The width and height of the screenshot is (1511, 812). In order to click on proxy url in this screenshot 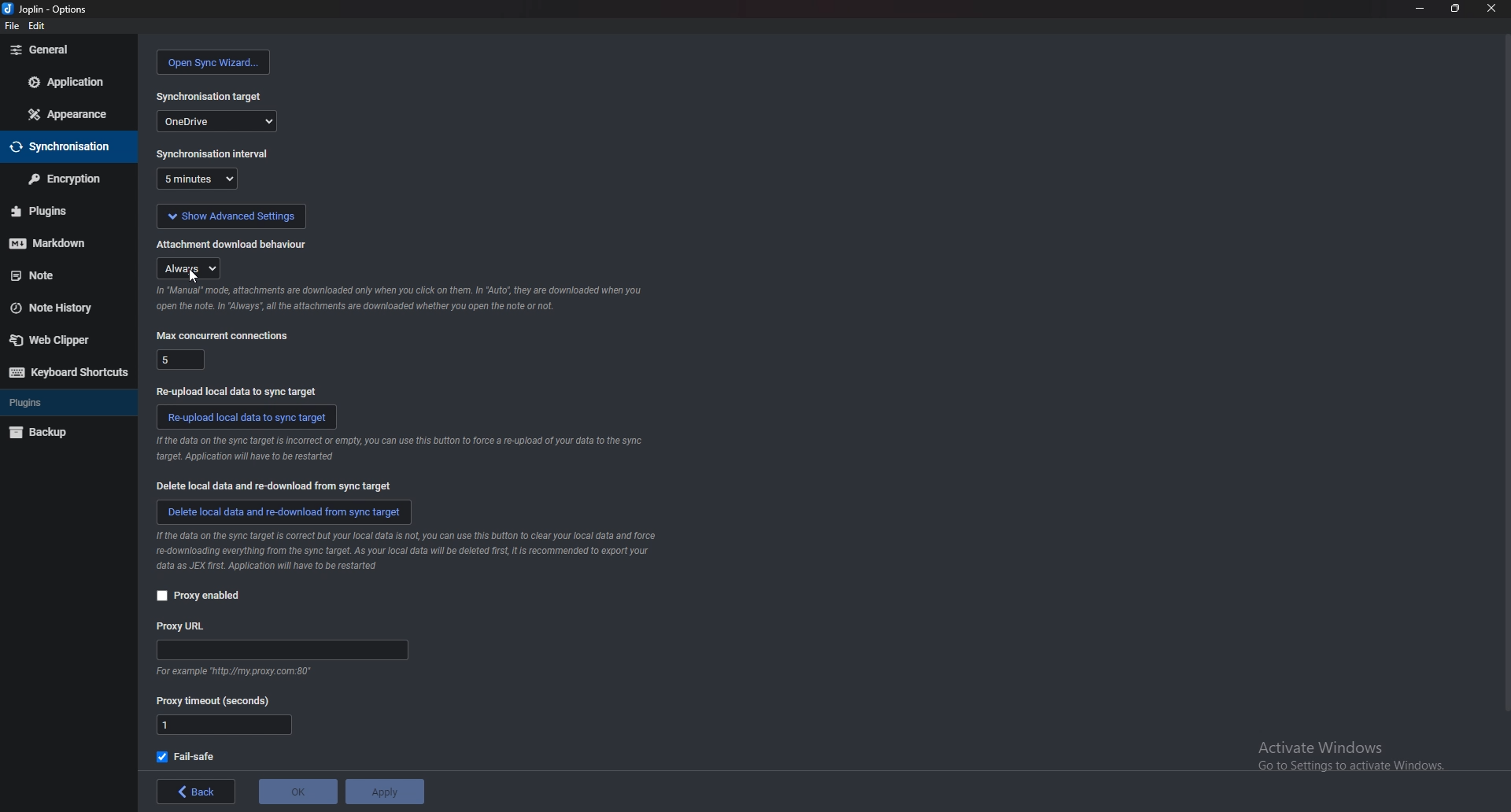, I will do `click(182, 627)`.